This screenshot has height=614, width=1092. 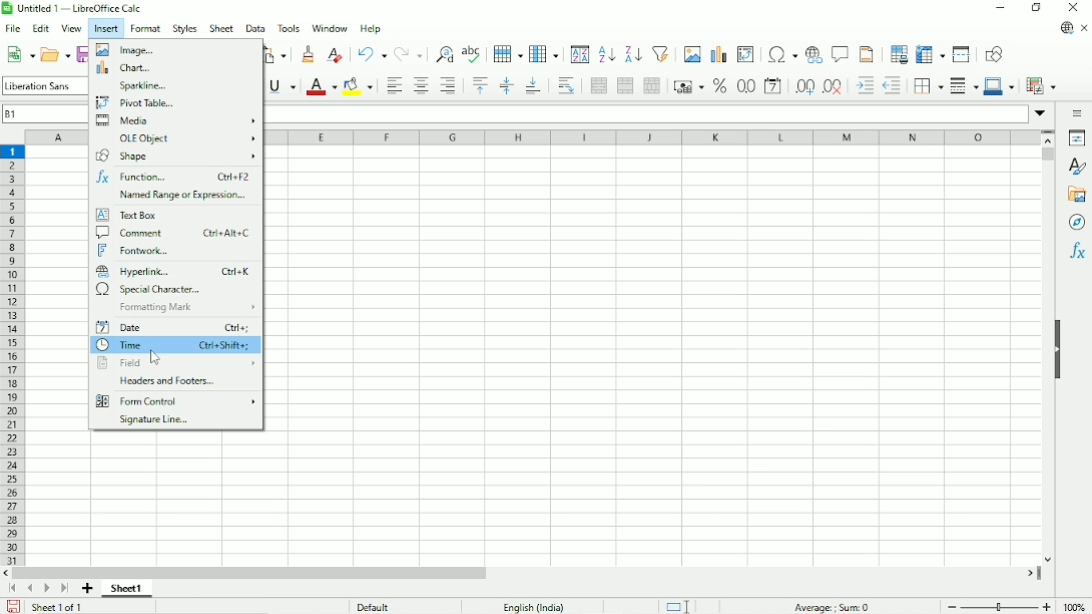 What do you see at coordinates (157, 358) in the screenshot?
I see `cursor` at bounding box center [157, 358].